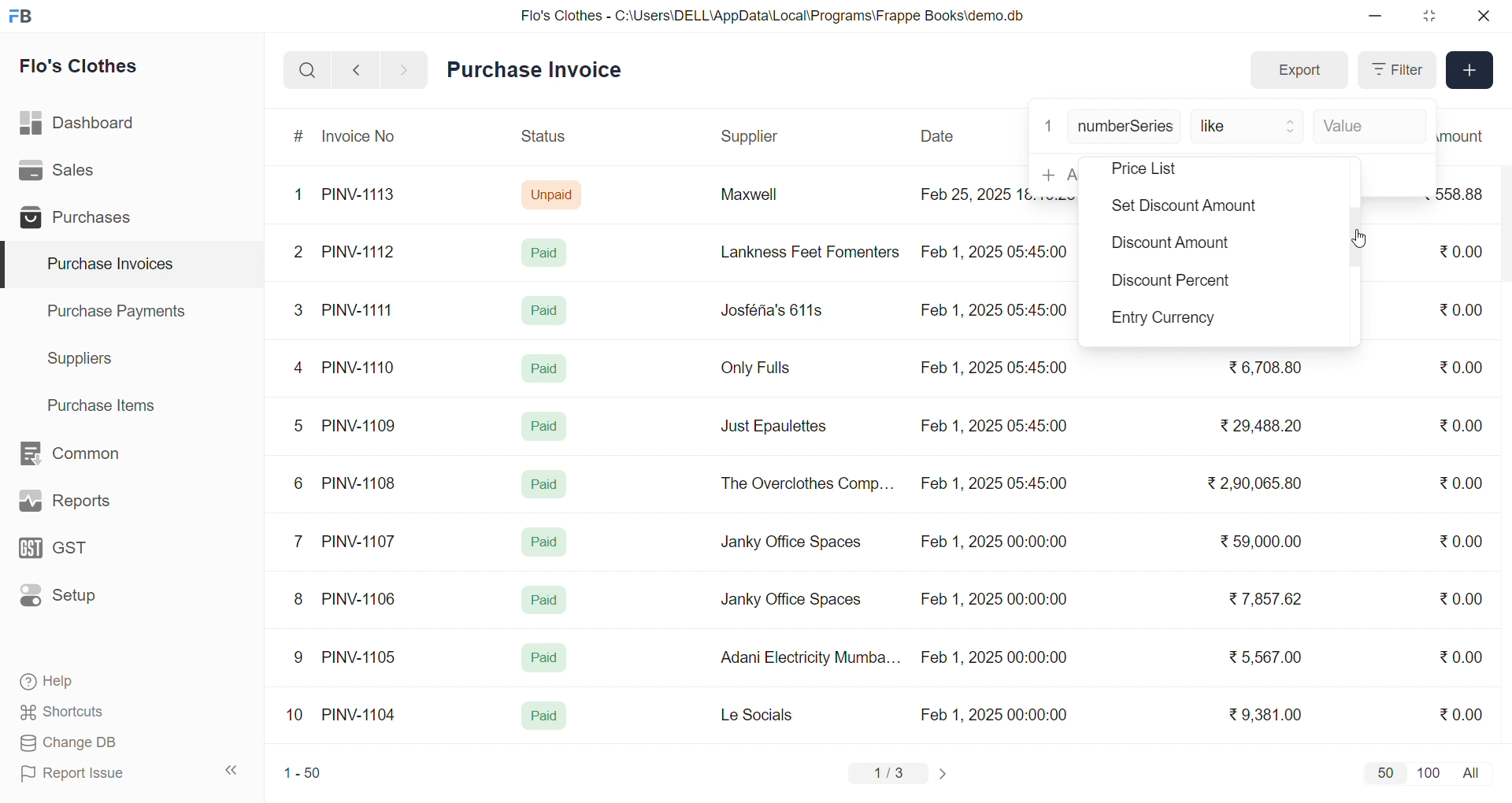  I want to click on logo, so click(24, 17).